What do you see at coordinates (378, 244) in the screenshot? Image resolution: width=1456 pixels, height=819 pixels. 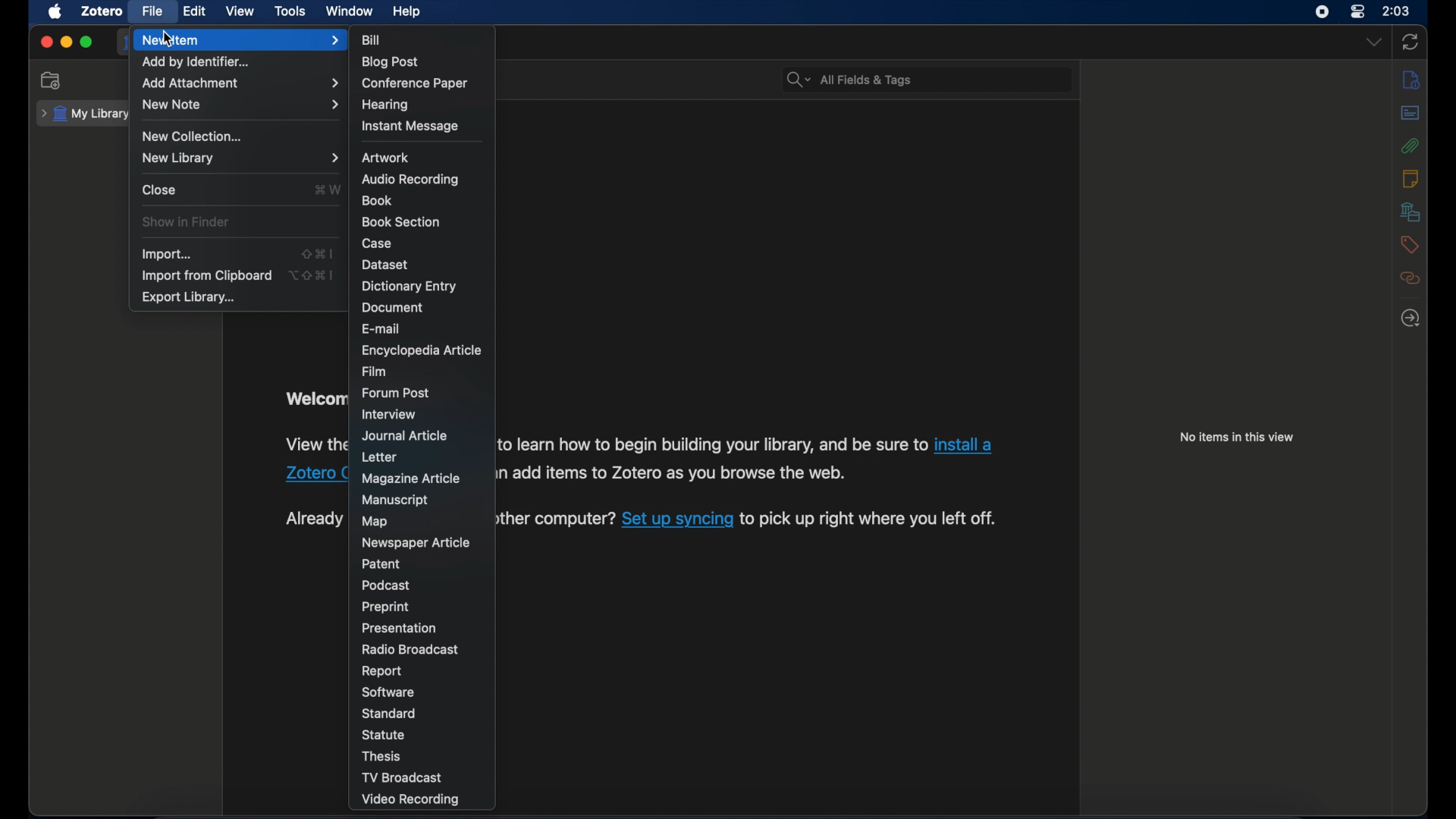 I see `case` at bounding box center [378, 244].